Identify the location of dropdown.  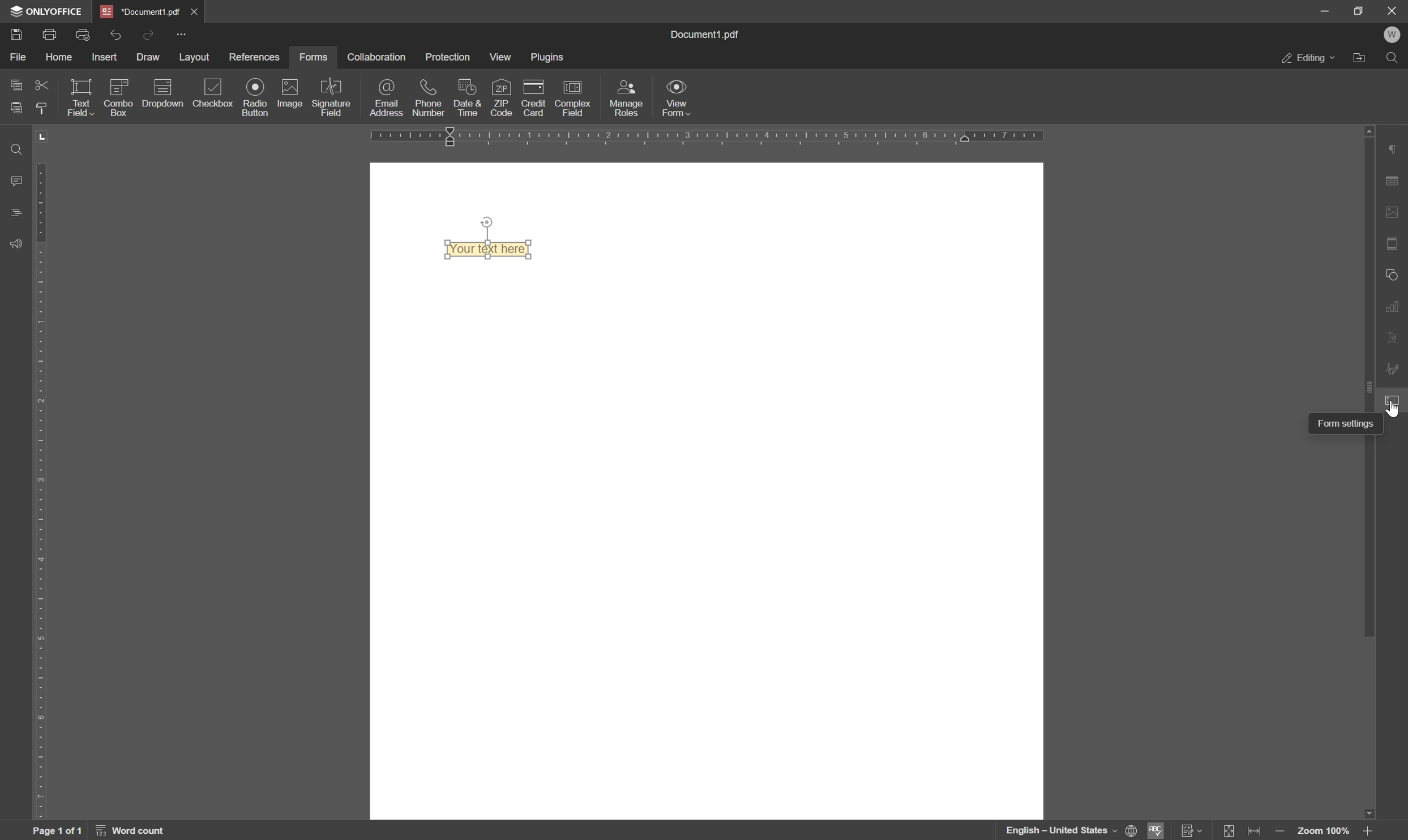
(162, 112).